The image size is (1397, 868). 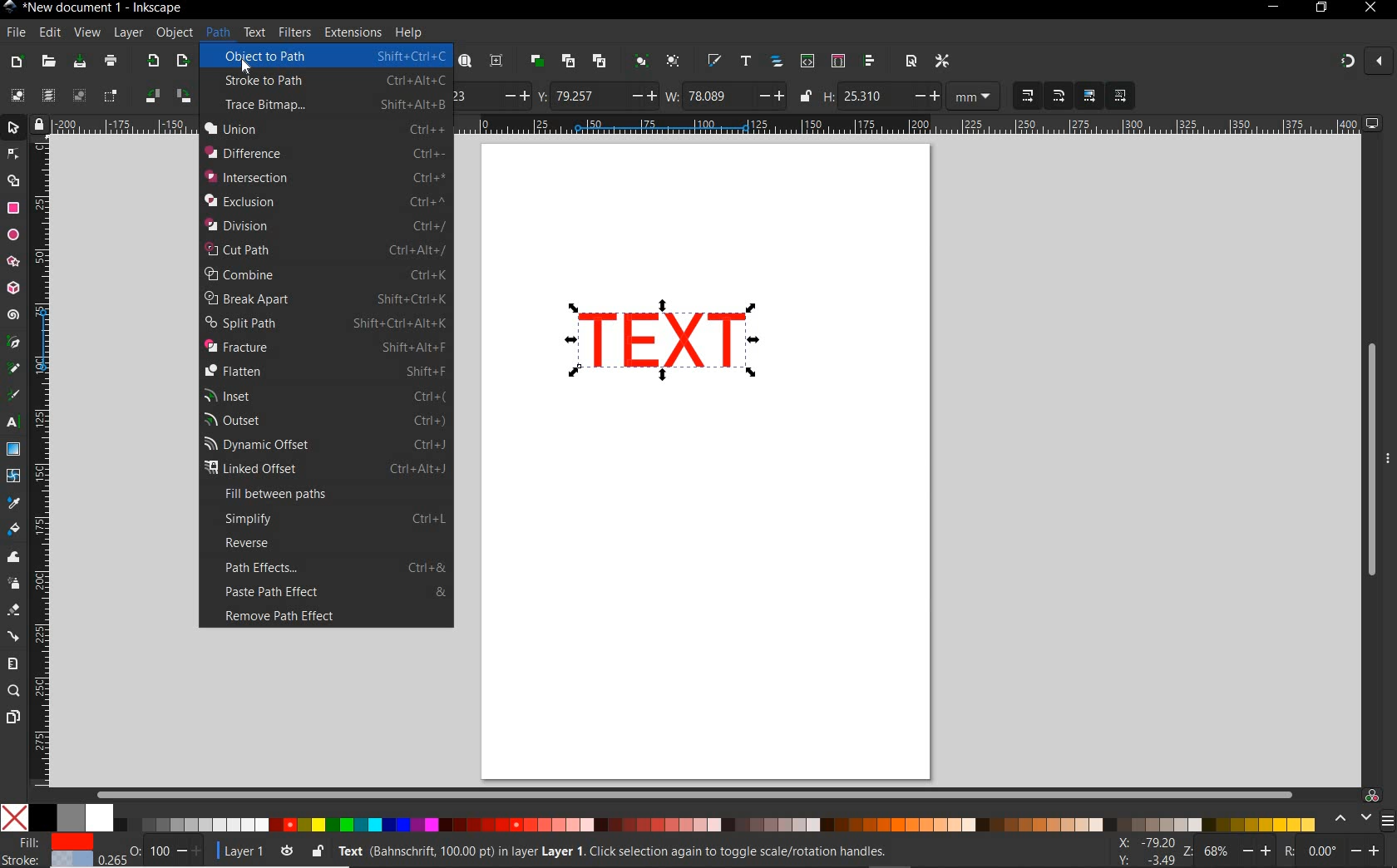 I want to click on OPEN PREFERENCES, so click(x=944, y=61).